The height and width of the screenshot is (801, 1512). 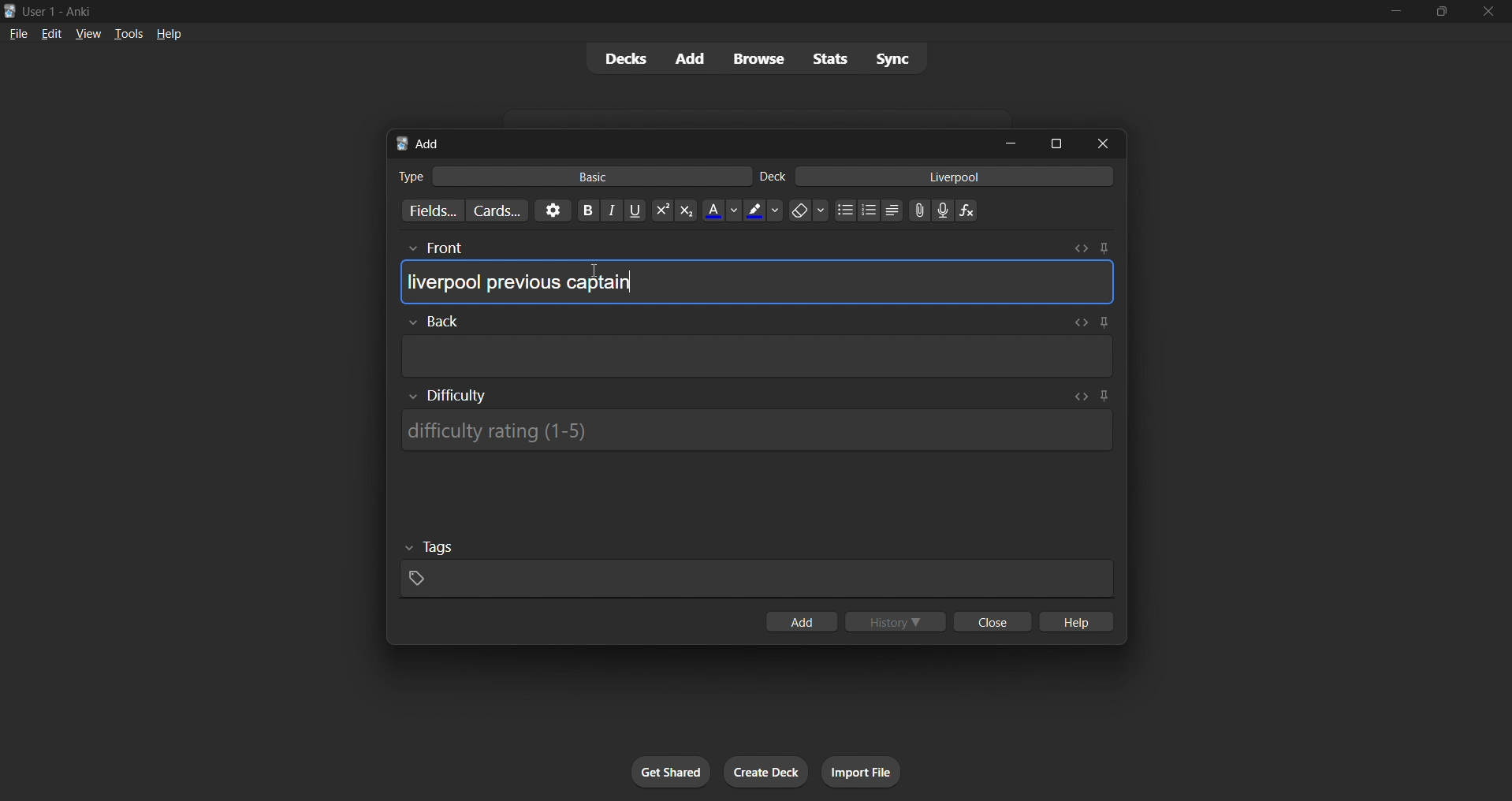 What do you see at coordinates (757, 564) in the screenshot?
I see `card tags input box` at bounding box center [757, 564].